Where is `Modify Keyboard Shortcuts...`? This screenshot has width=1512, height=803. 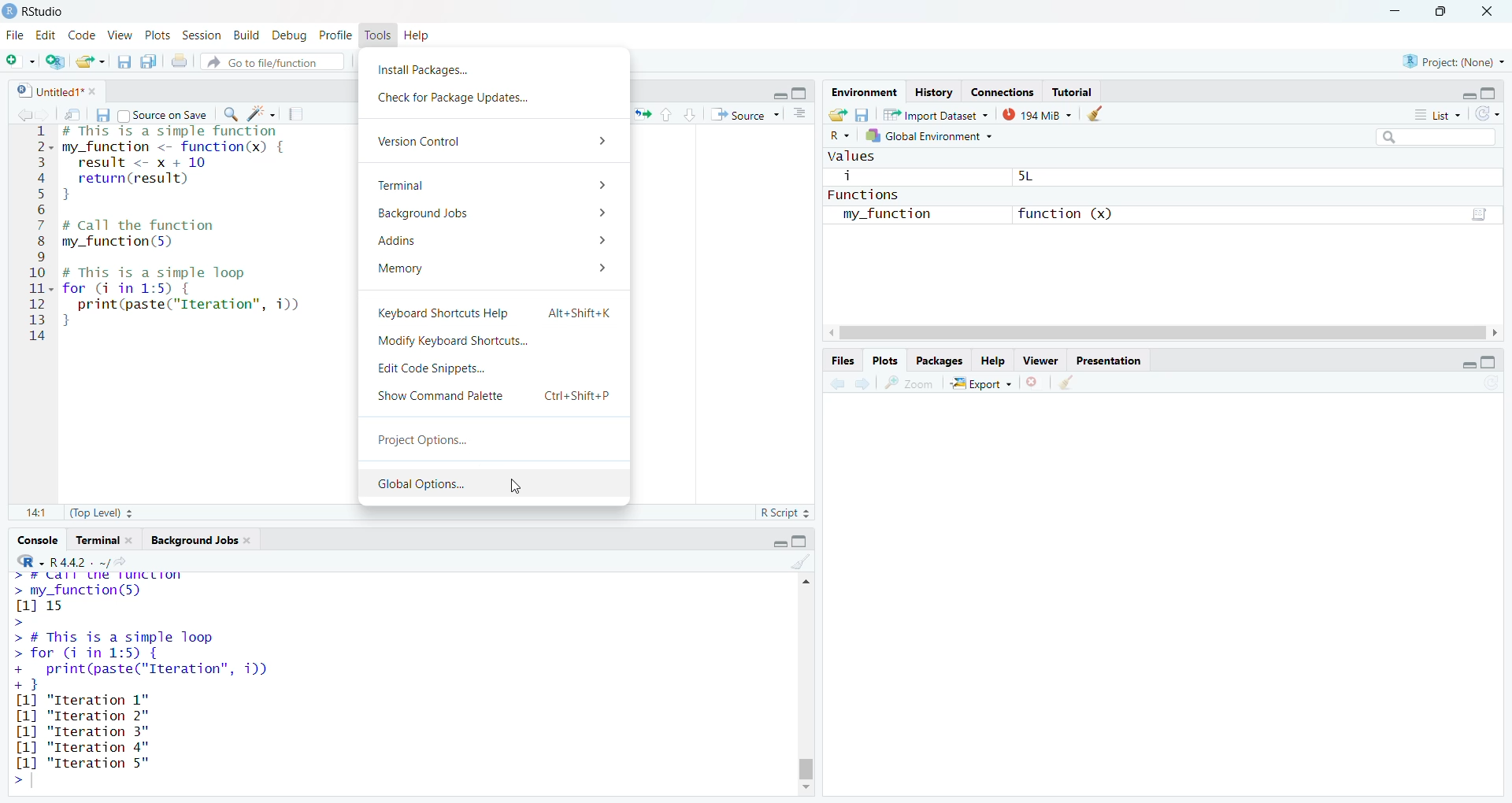 Modify Keyboard Shortcuts... is located at coordinates (458, 342).